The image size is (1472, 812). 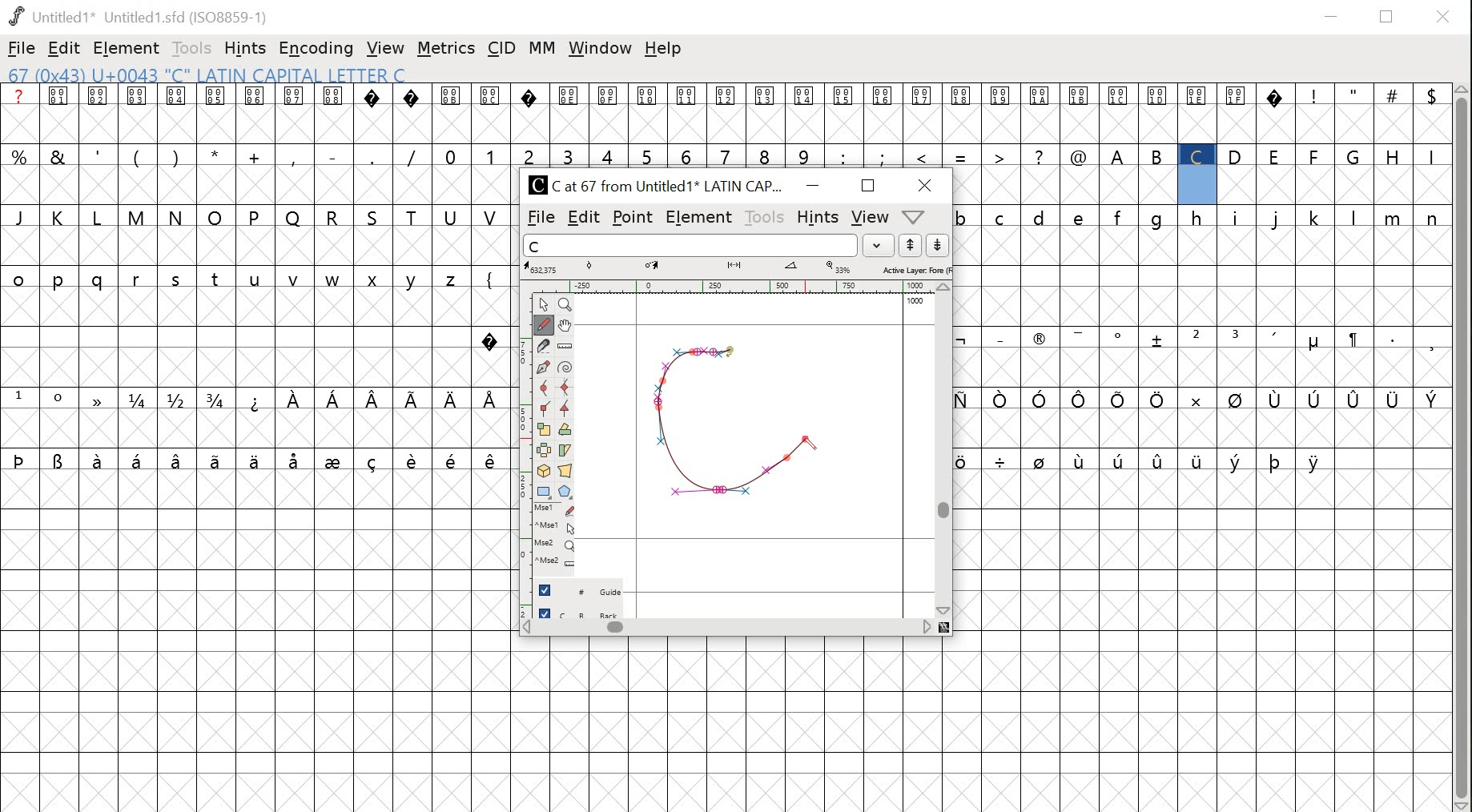 I want to click on flip, so click(x=547, y=450).